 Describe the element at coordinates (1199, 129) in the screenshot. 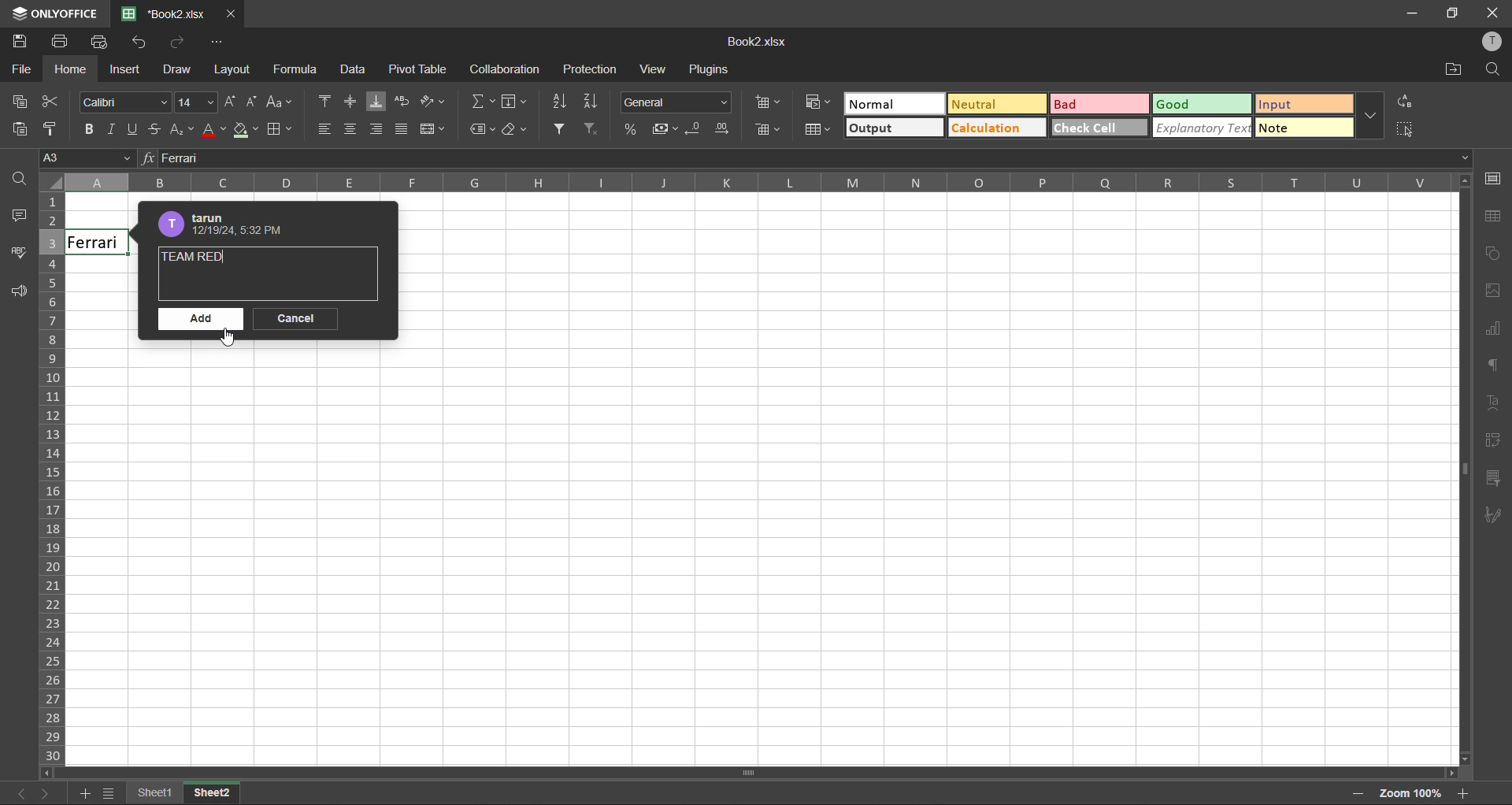

I see `explanatory text` at that location.